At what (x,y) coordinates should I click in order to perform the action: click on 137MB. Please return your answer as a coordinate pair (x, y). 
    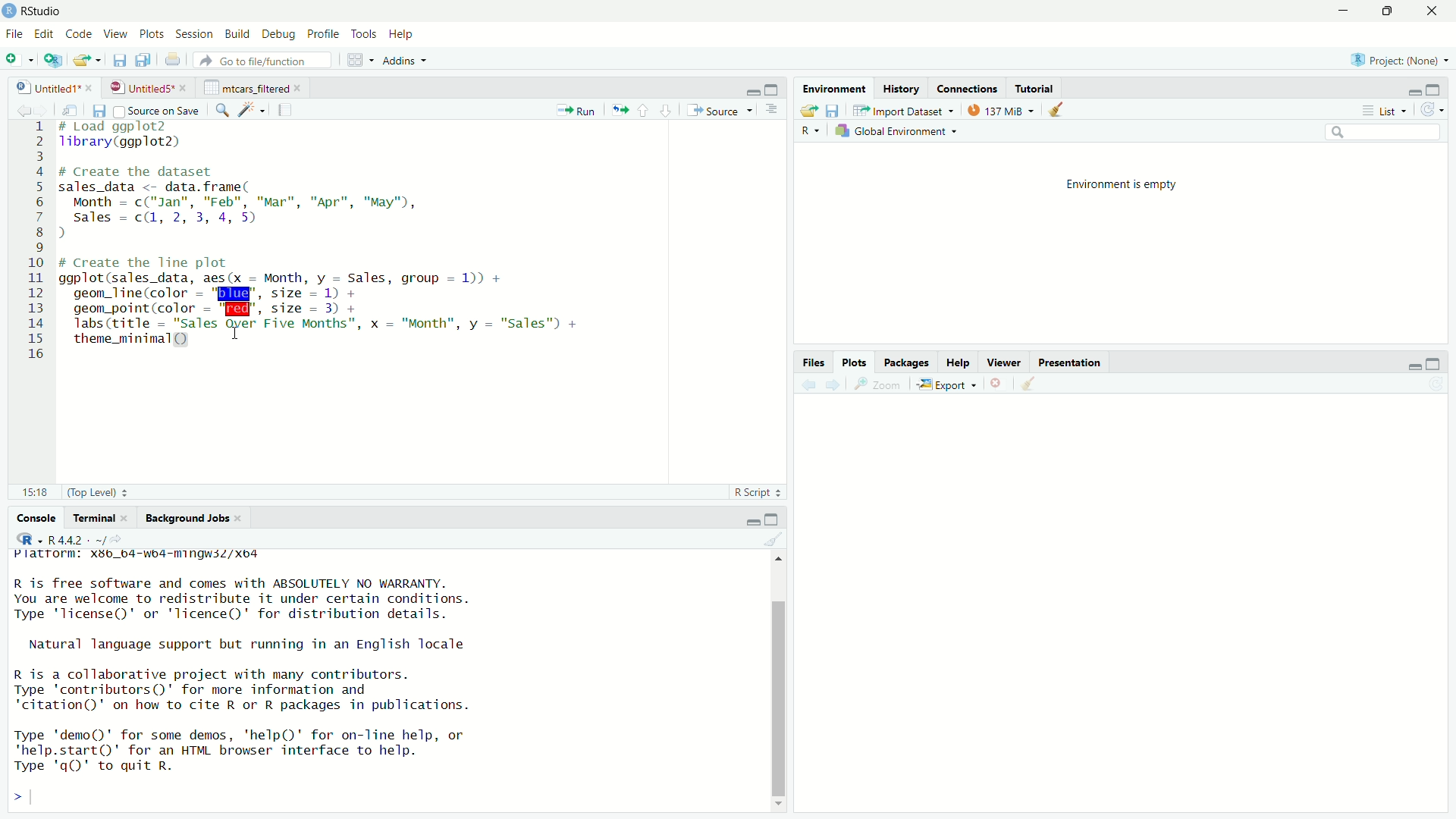
    Looking at the image, I should click on (998, 110).